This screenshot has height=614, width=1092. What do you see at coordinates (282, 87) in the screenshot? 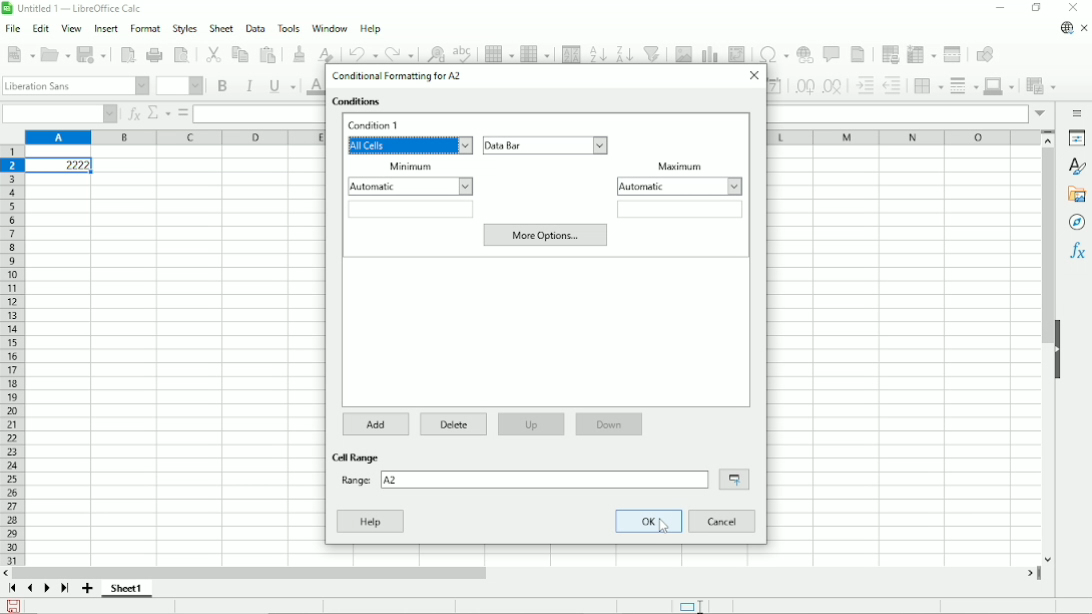
I see `Underline` at bounding box center [282, 87].